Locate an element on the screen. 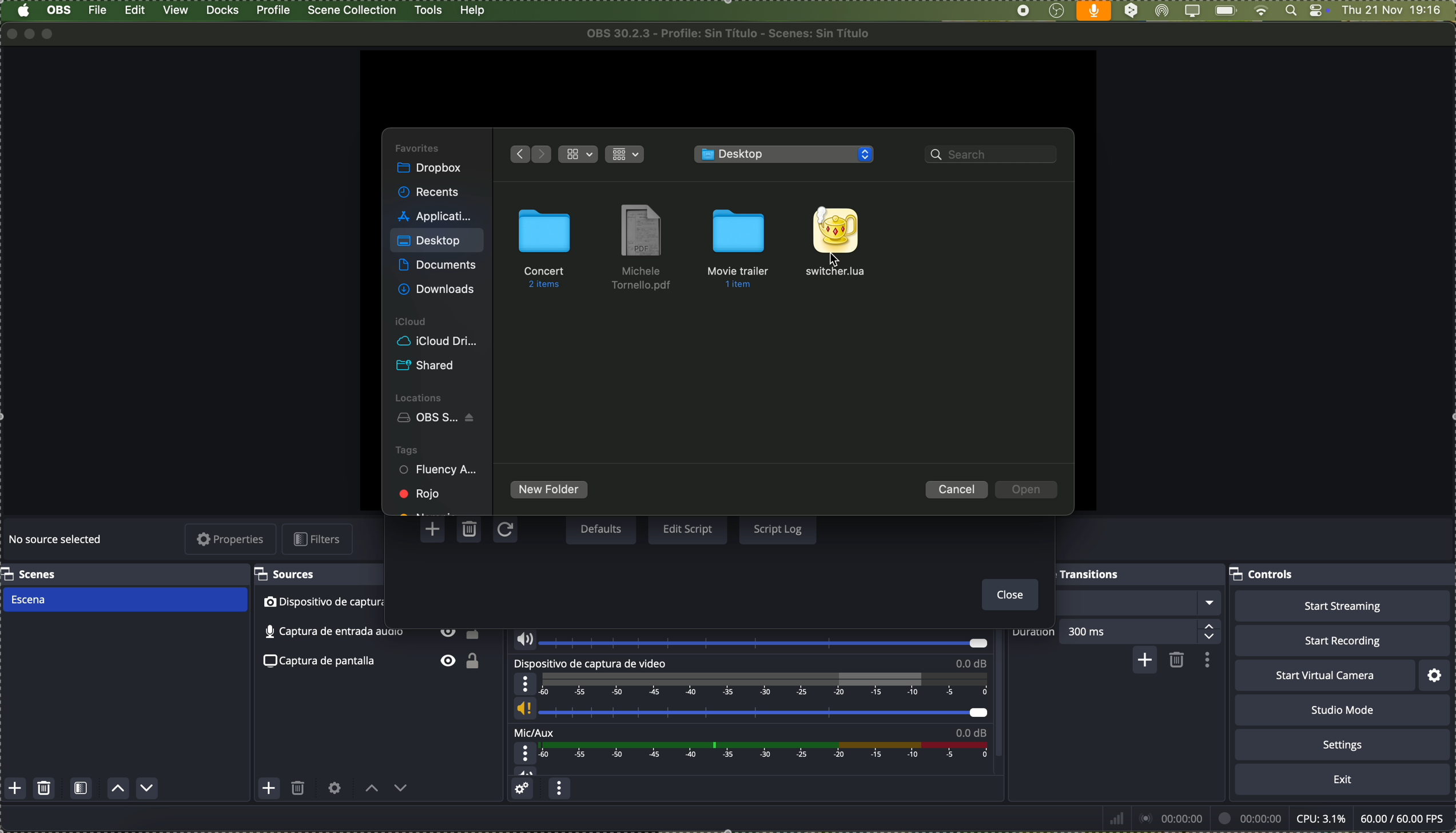 The height and width of the screenshot is (833, 1456). click on add script is located at coordinates (435, 529).